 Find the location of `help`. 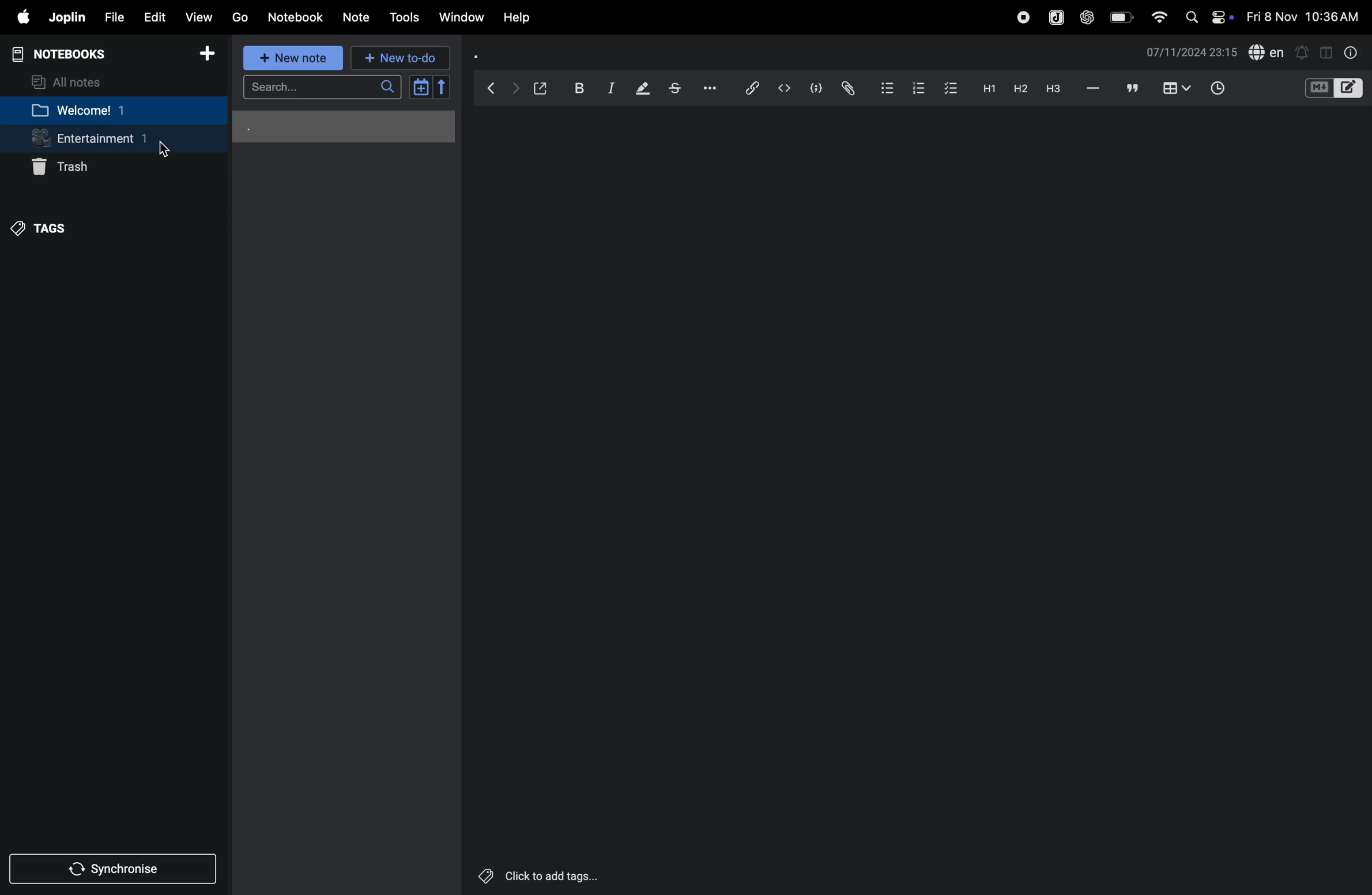

help is located at coordinates (515, 18).